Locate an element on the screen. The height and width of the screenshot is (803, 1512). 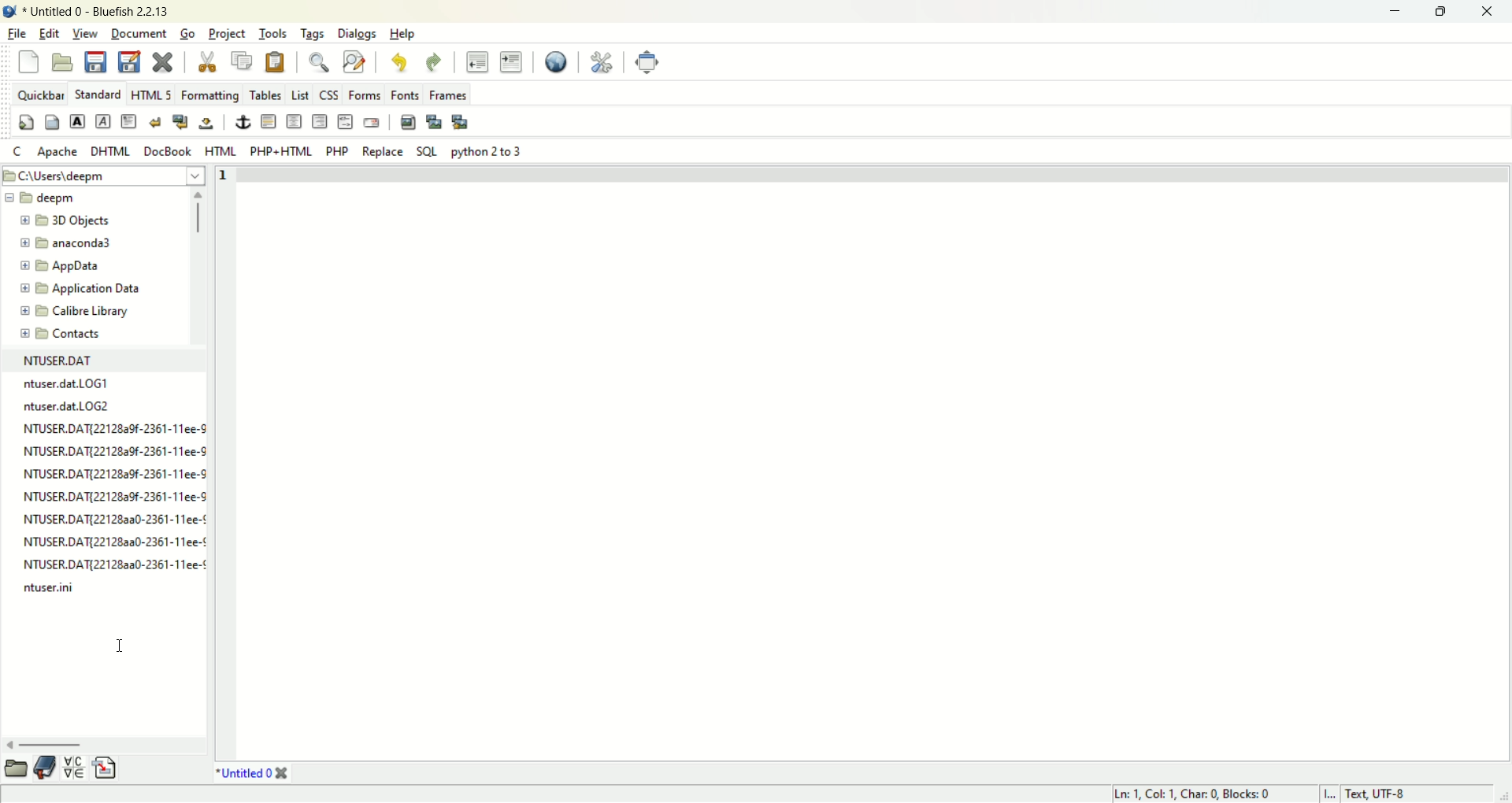
editor is located at coordinates (877, 461).